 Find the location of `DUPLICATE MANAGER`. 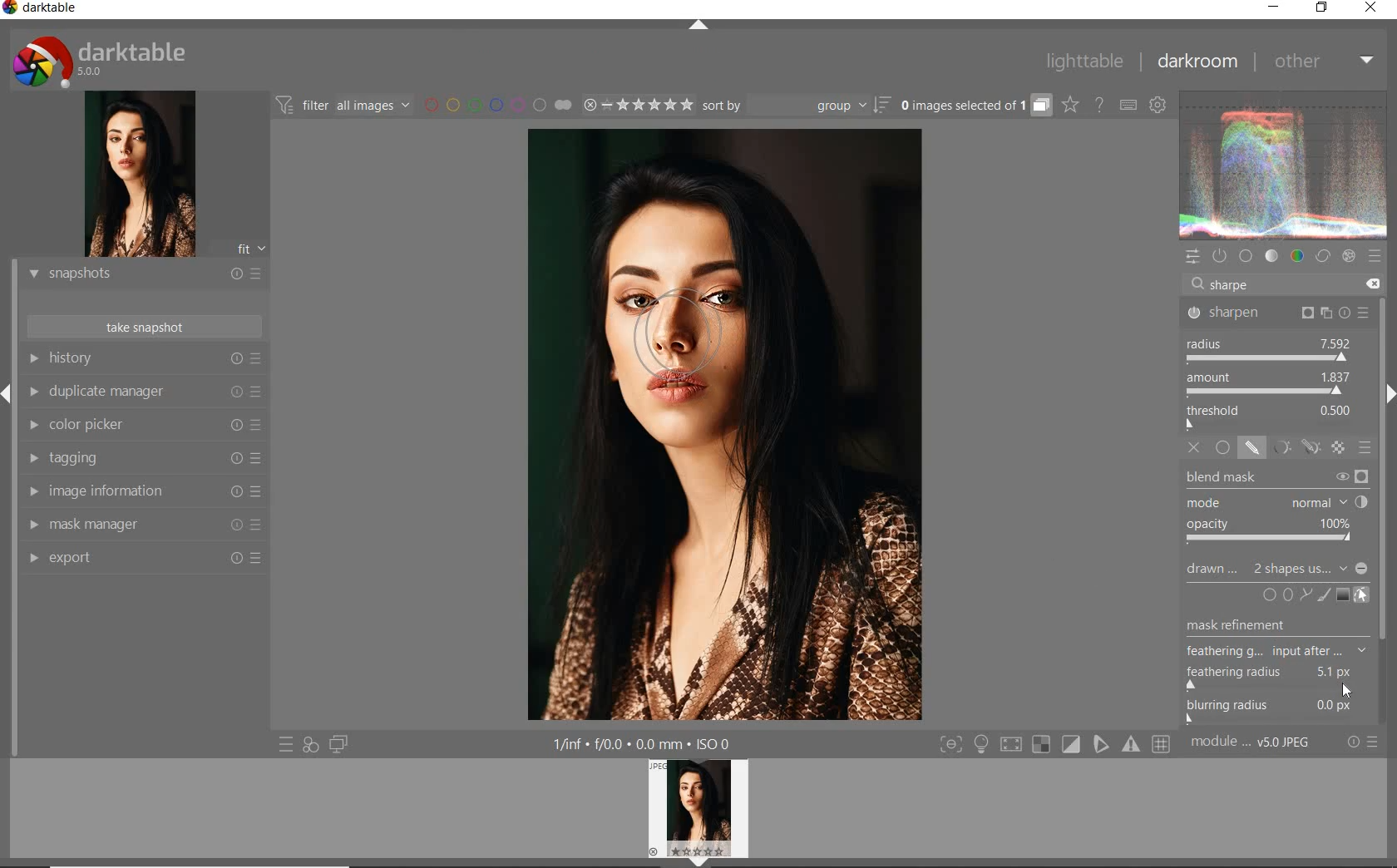

DUPLICATE MANAGER is located at coordinates (146, 394).